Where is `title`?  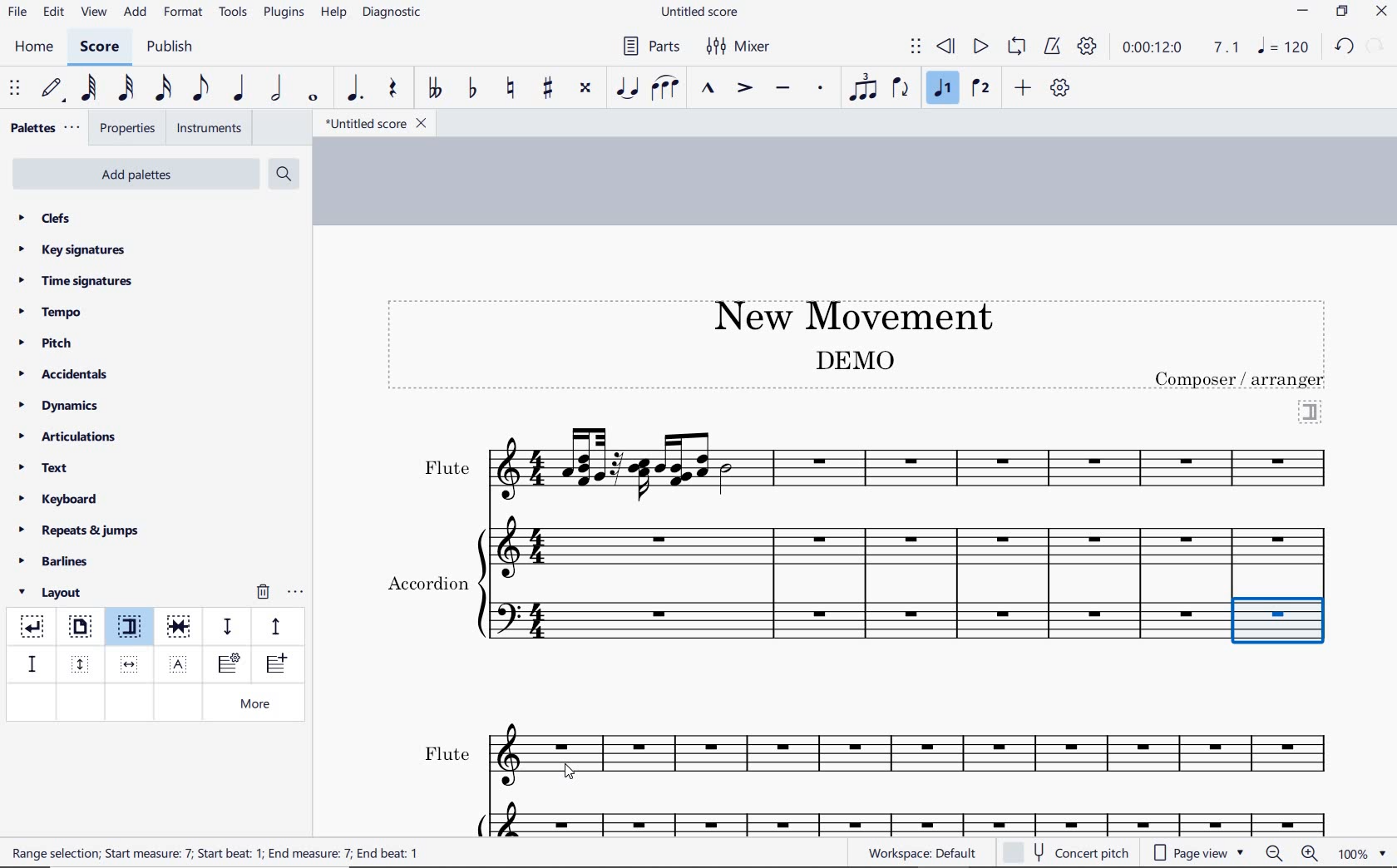 title is located at coordinates (845, 313).